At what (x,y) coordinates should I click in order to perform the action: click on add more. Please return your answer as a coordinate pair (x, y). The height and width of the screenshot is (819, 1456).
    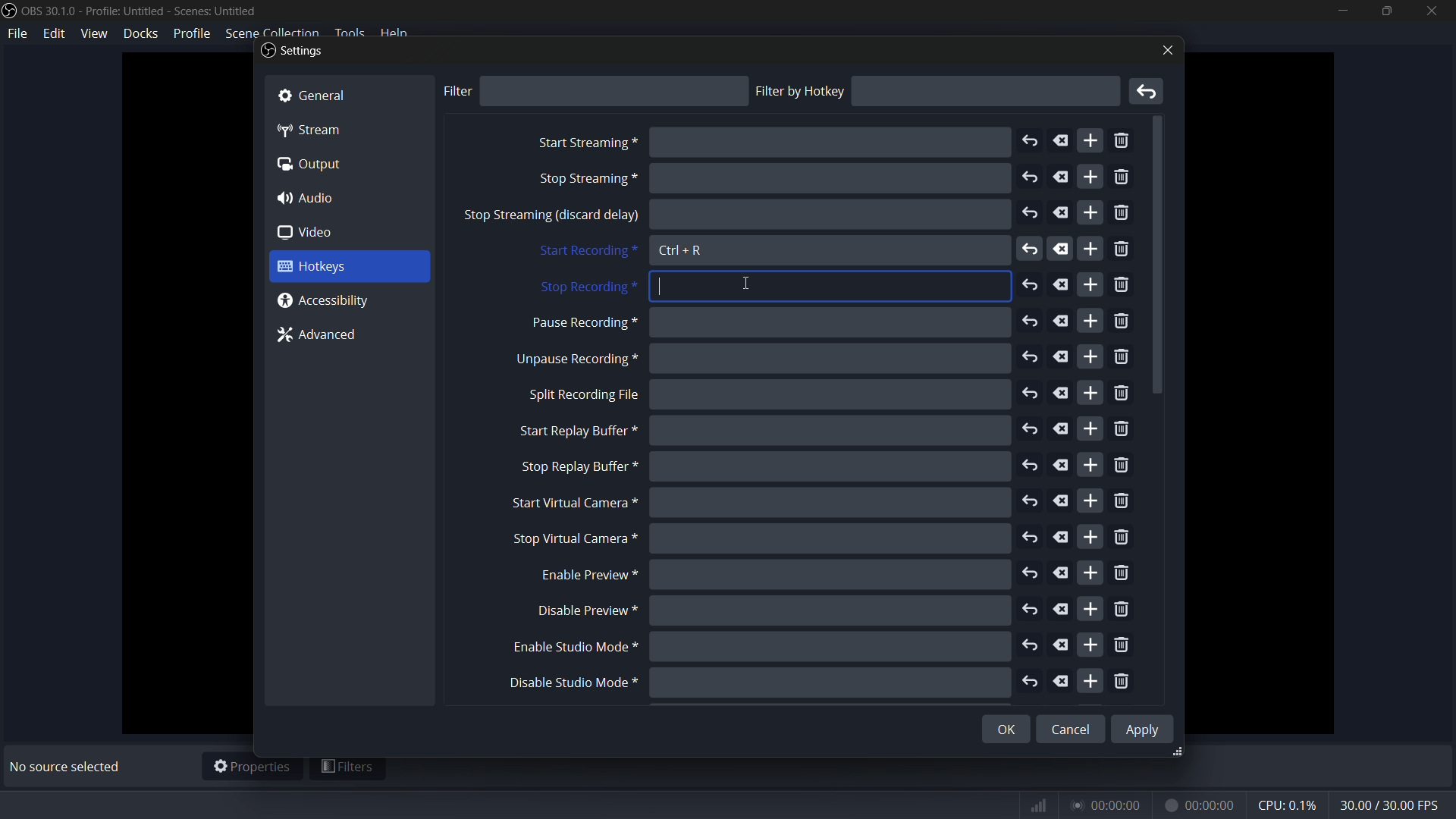
    Looking at the image, I should click on (1092, 536).